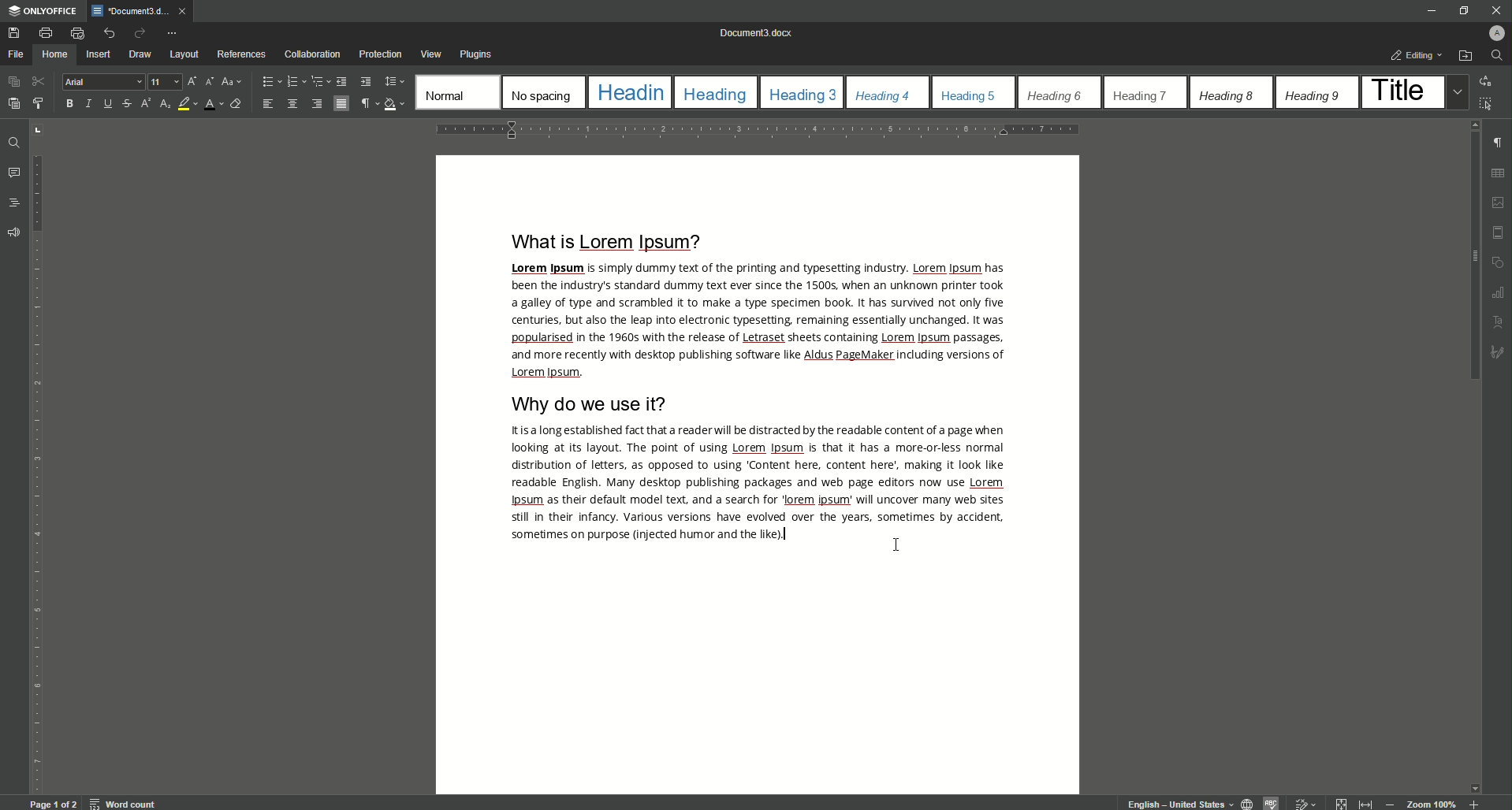  I want to click on Cut, so click(38, 80).